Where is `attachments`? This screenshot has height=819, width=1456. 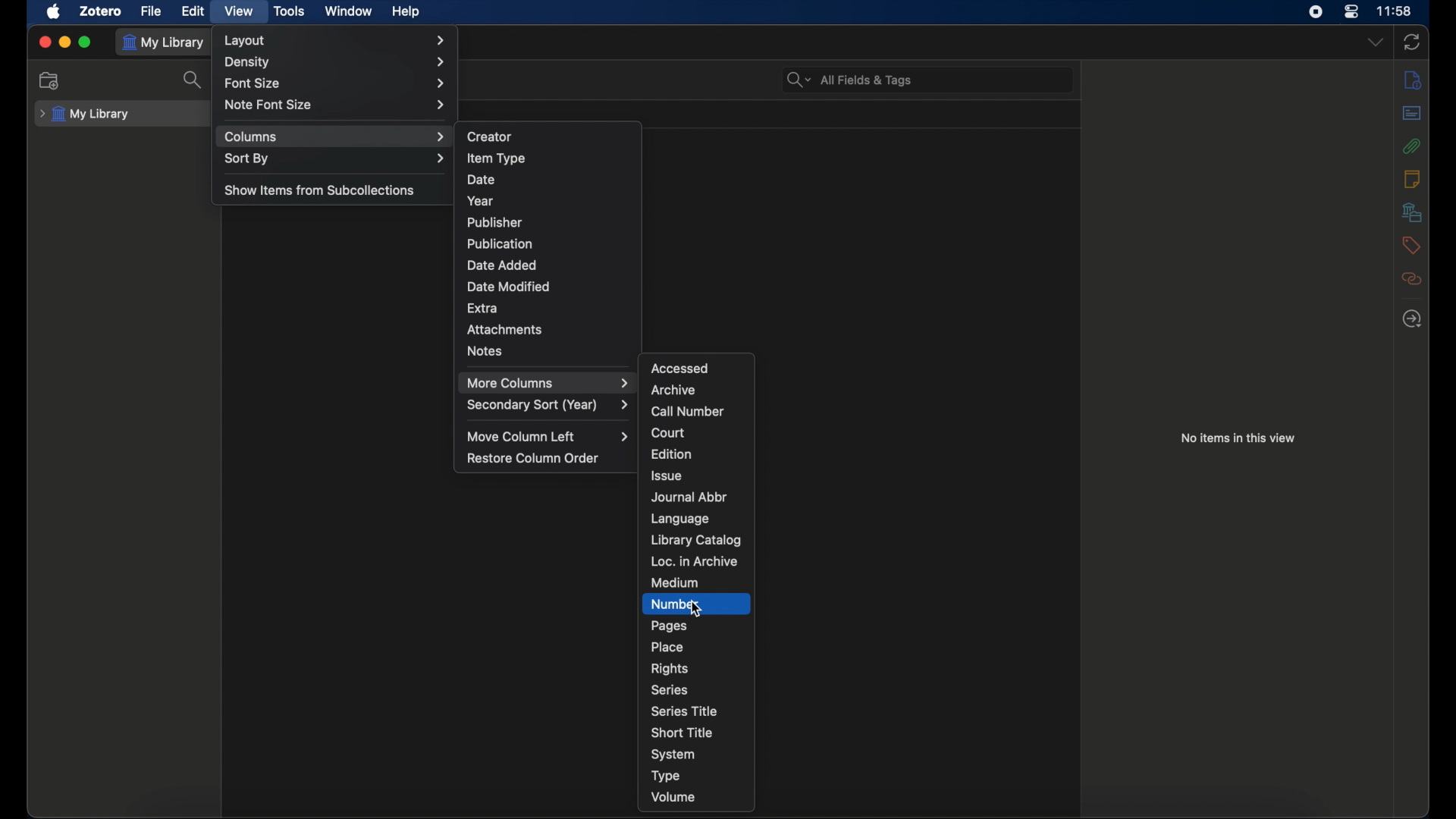 attachments is located at coordinates (1411, 146).